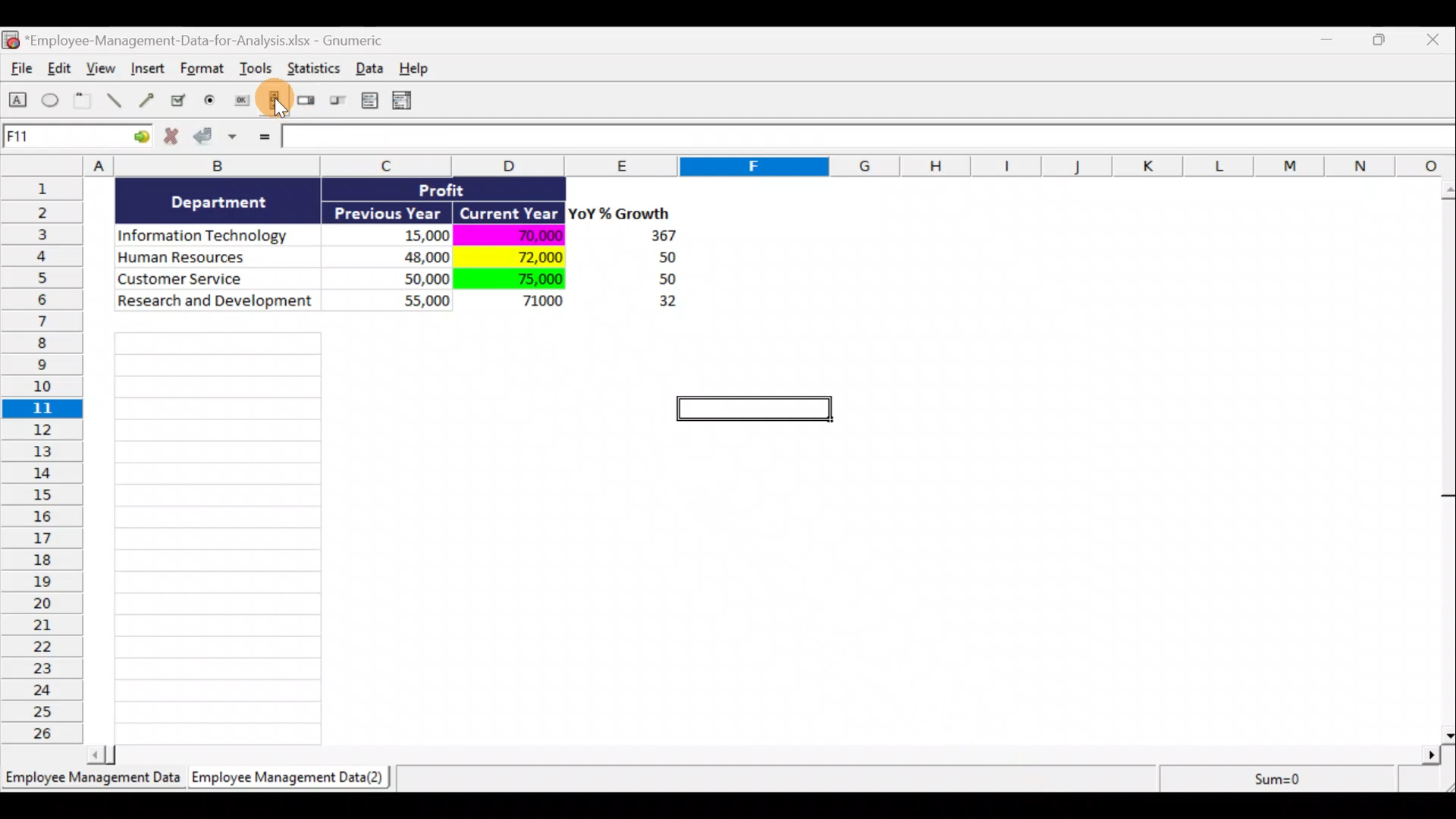  Describe the element at coordinates (1330, 42) in the screenshot. I see `Minimise` at that location.